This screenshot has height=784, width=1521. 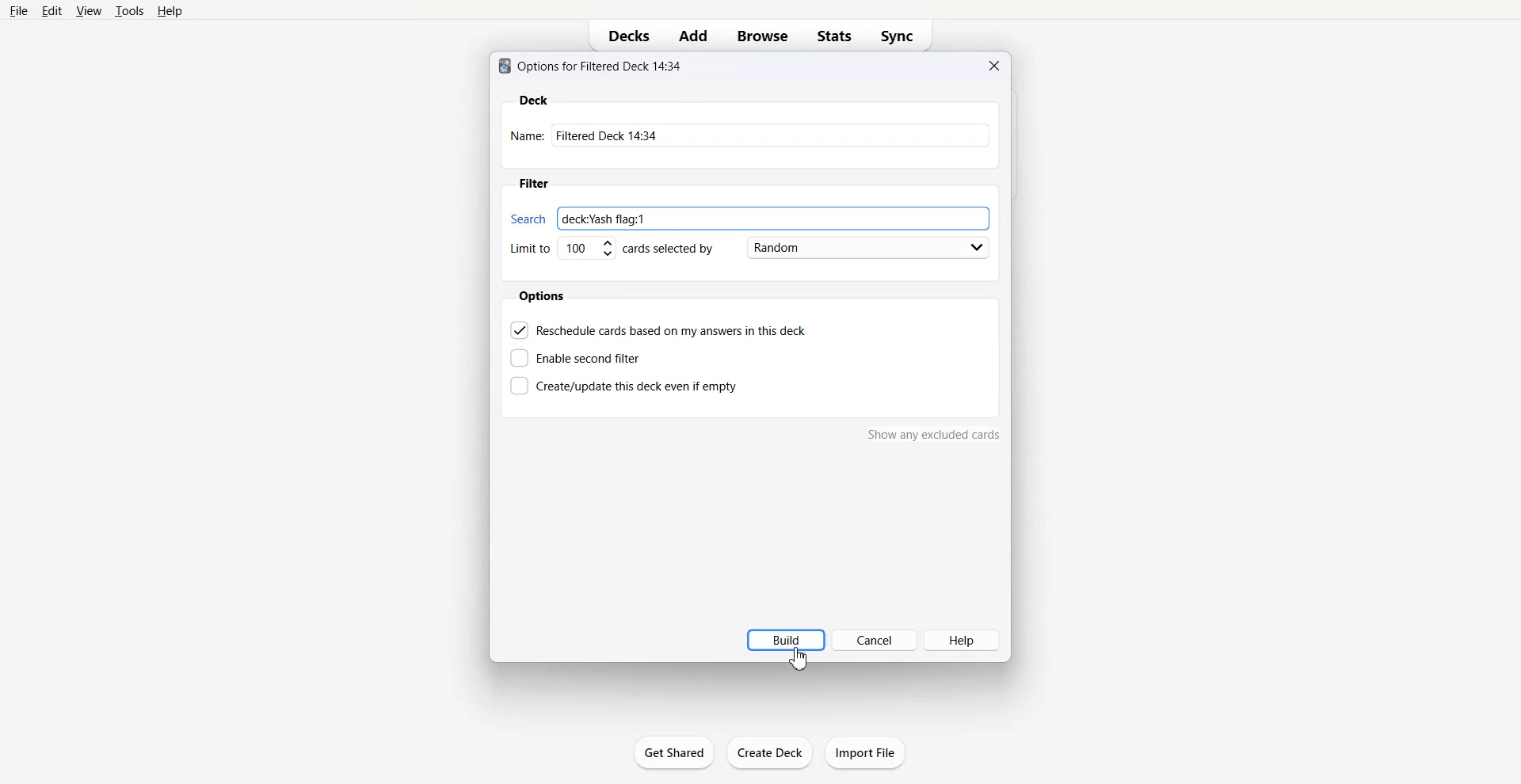 What do you see at coordinates (623, 385) in the screenshot?
I see `update this deck even if empty` at bounding box center [623, 385].